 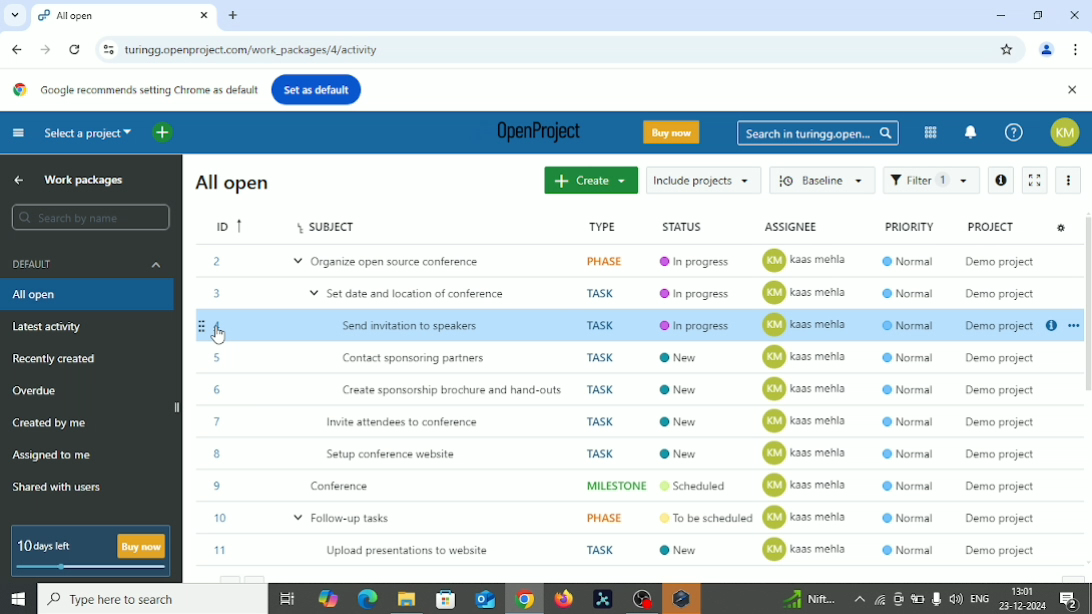 What do you see at coordinates (614, 325) in the screenshot?
I see `task: Send nvitation to speakers` at bounding box center [614, 325].